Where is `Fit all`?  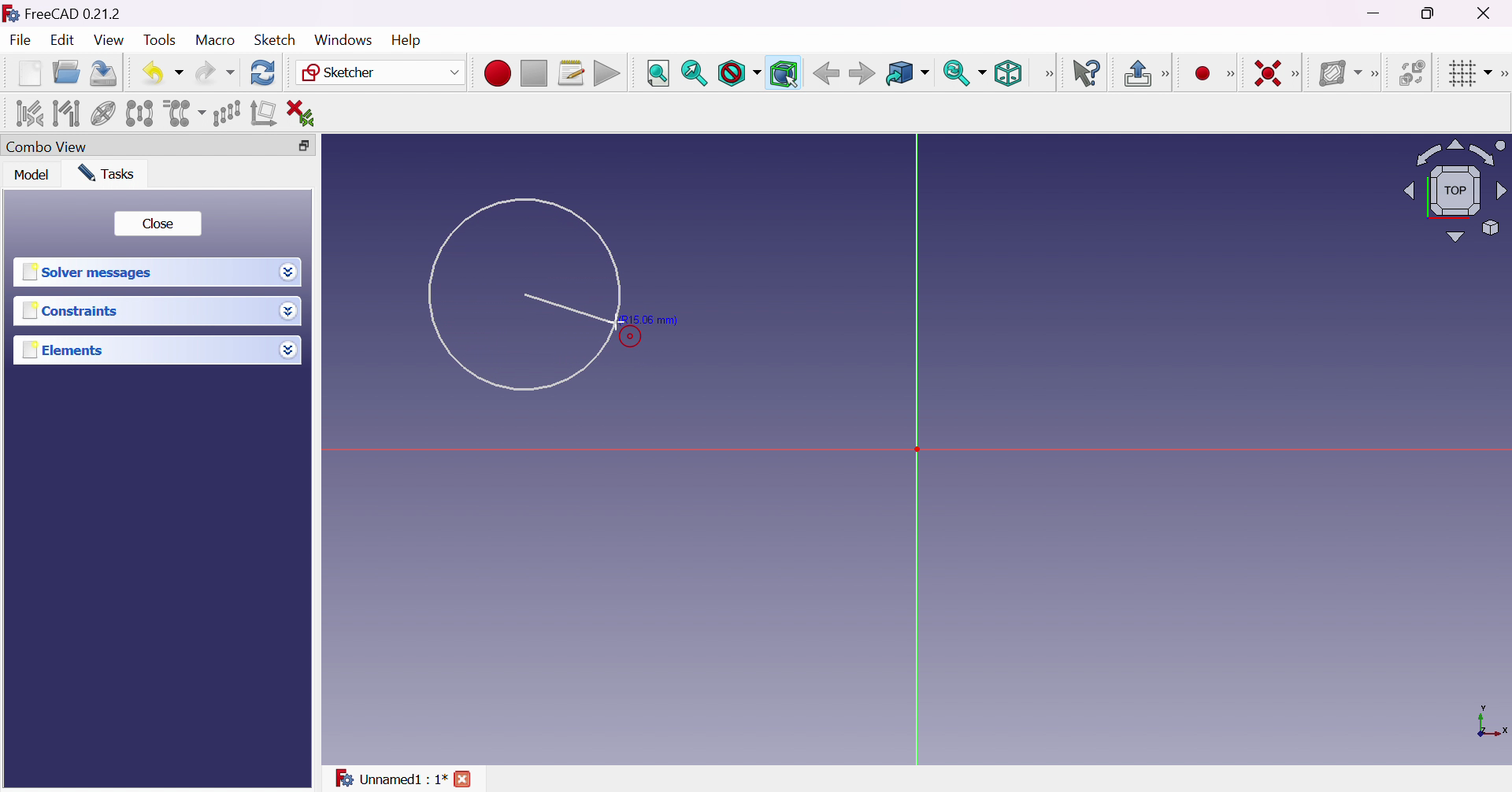
Fit all is located at coordinates (658, 74).